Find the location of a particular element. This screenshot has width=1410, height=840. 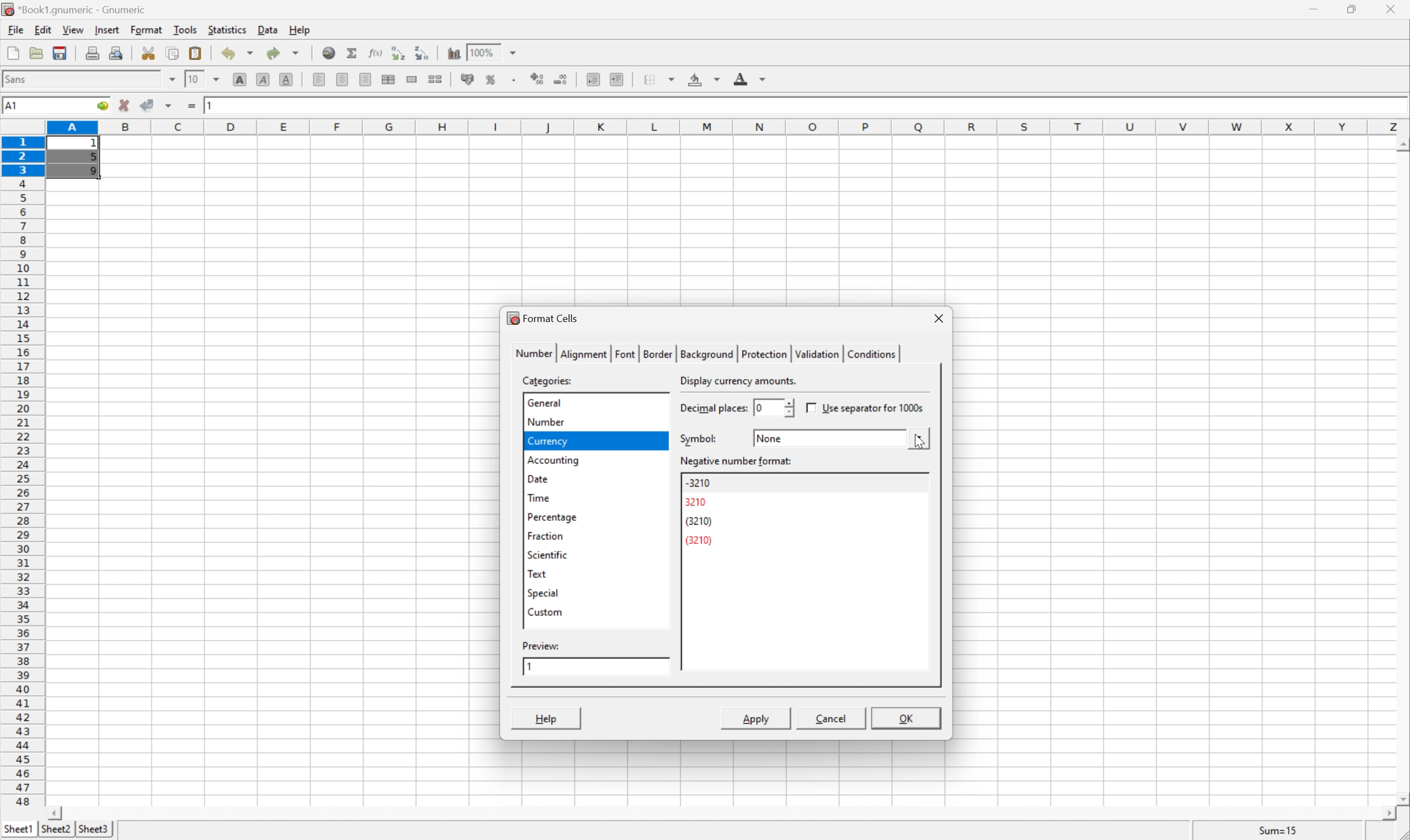

categories is located at coordinates (549, 380).